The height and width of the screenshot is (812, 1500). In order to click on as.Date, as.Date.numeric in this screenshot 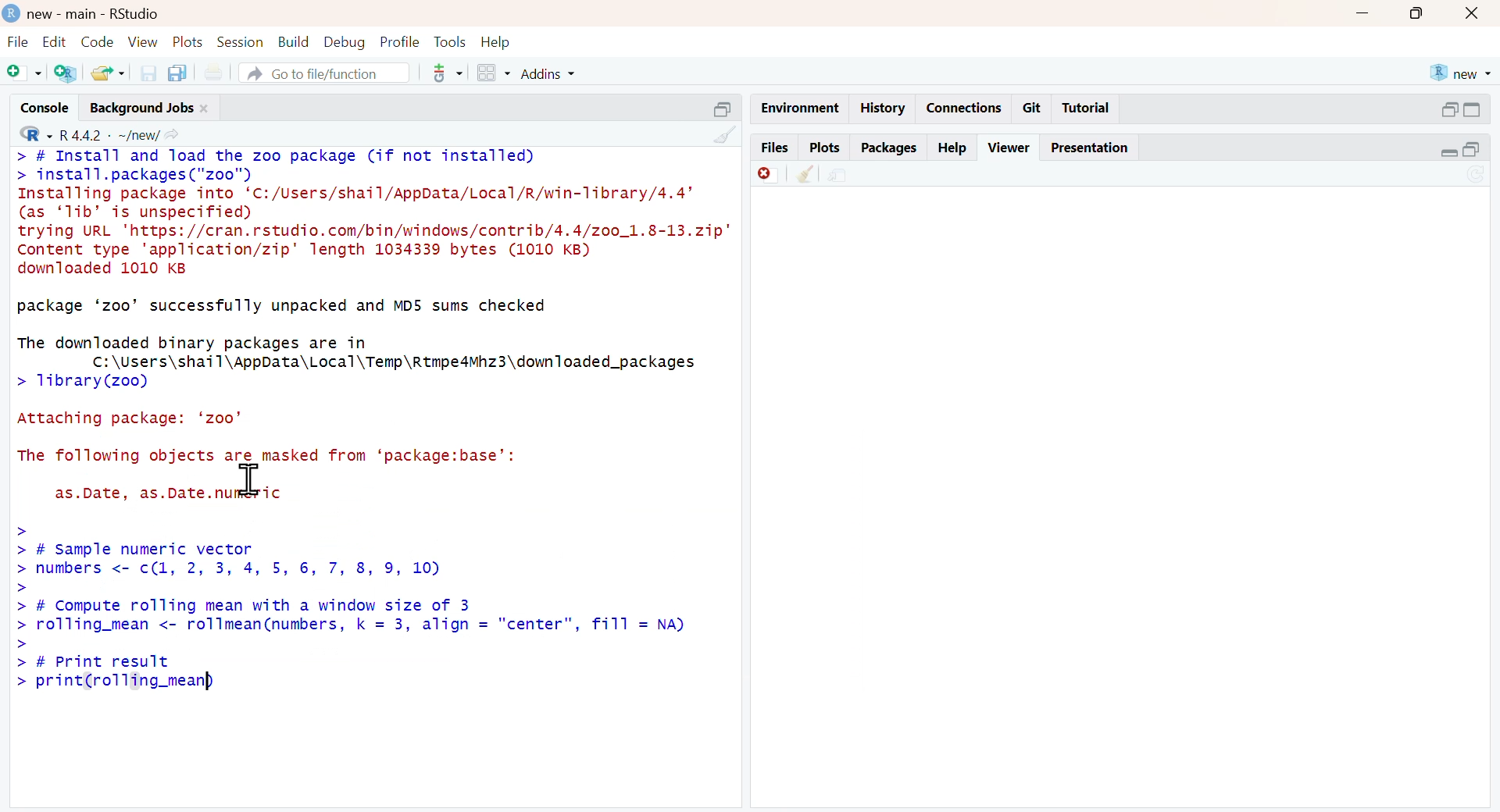, I will do `click(169, 493)`.